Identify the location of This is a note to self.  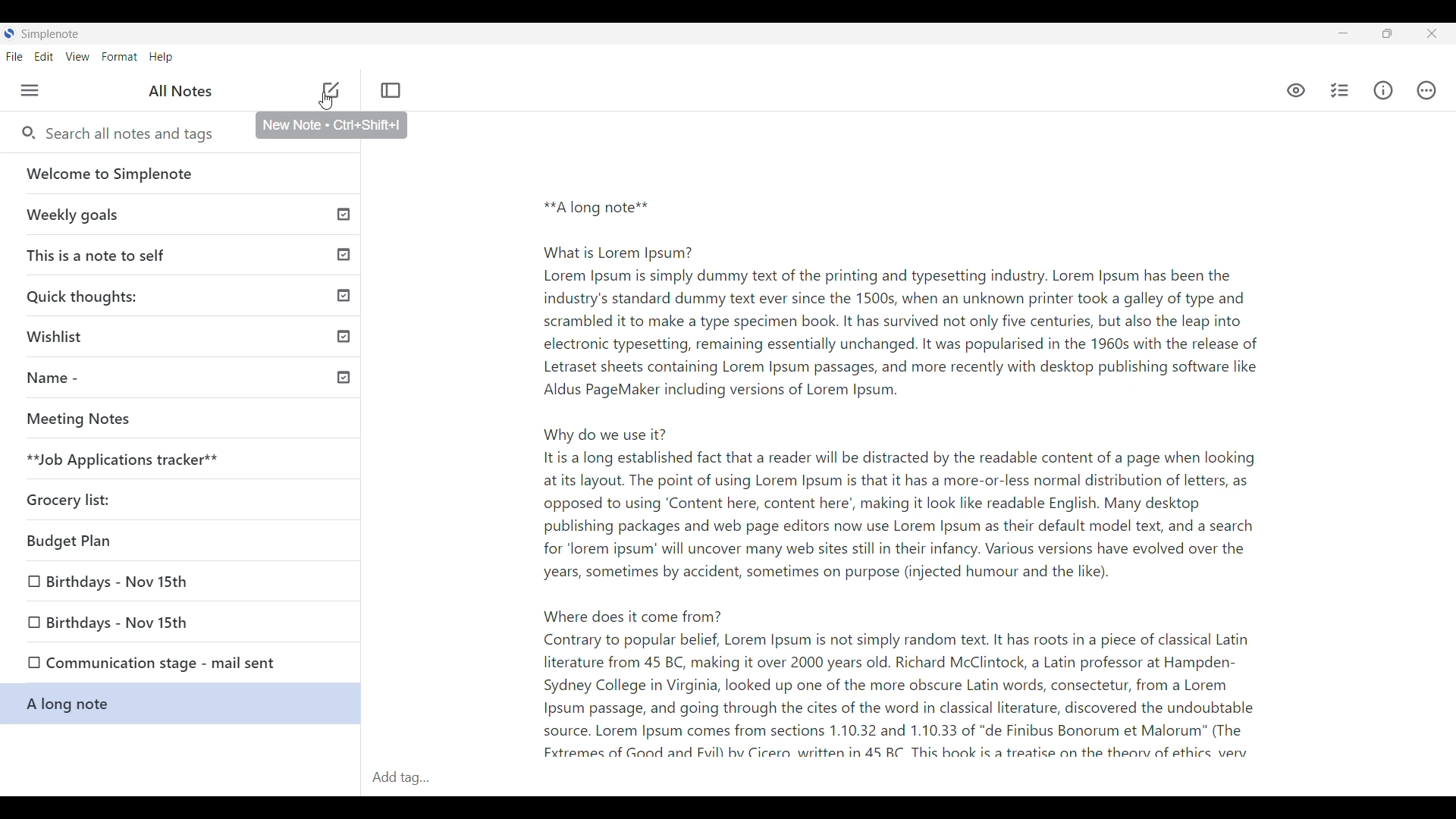
(184, 252).